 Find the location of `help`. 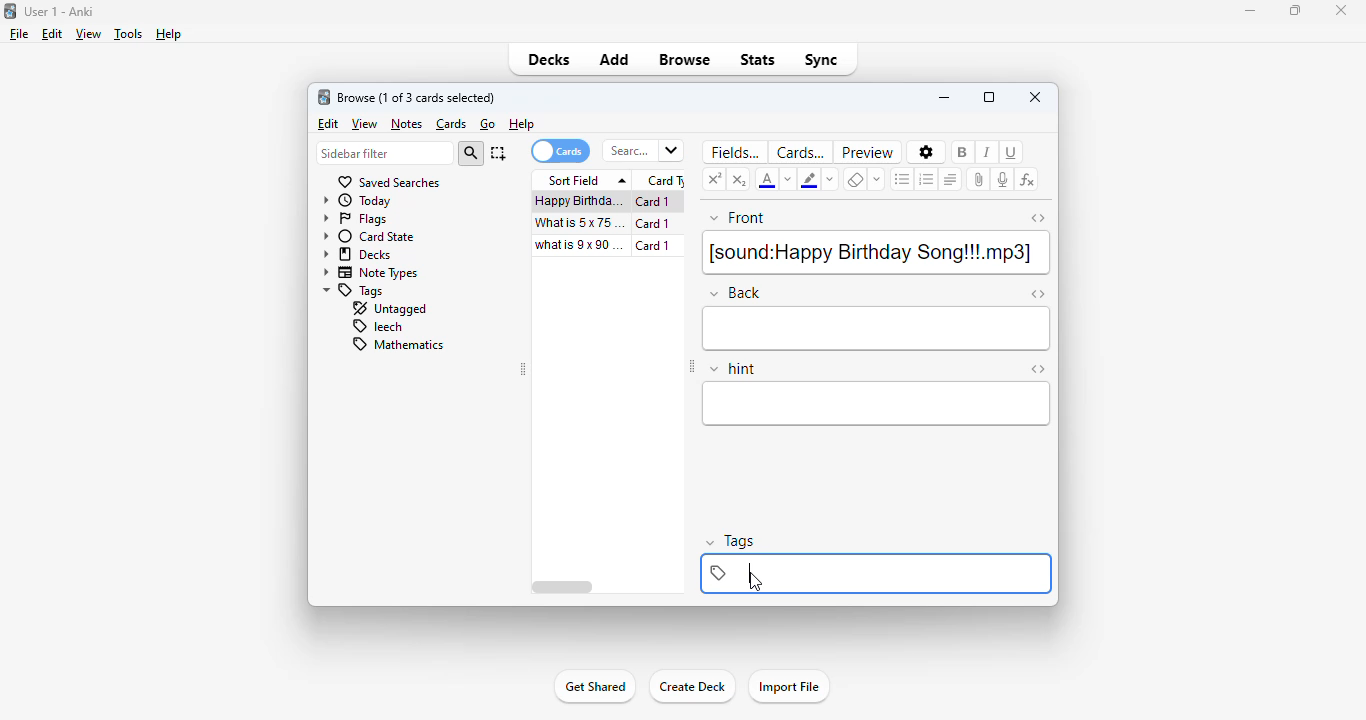

help is located at coordinates (522, 124).